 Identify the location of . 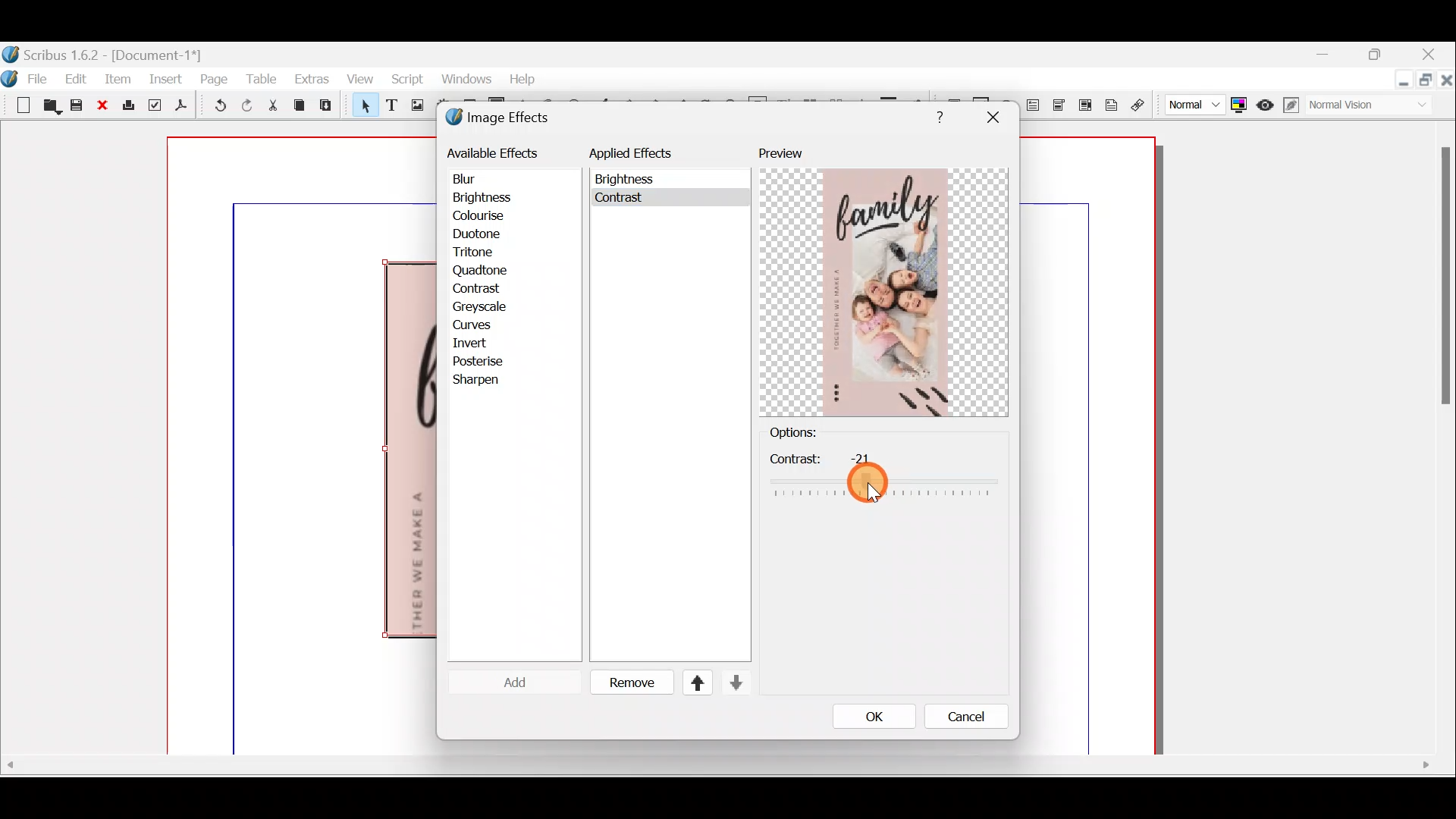
(715, 765).